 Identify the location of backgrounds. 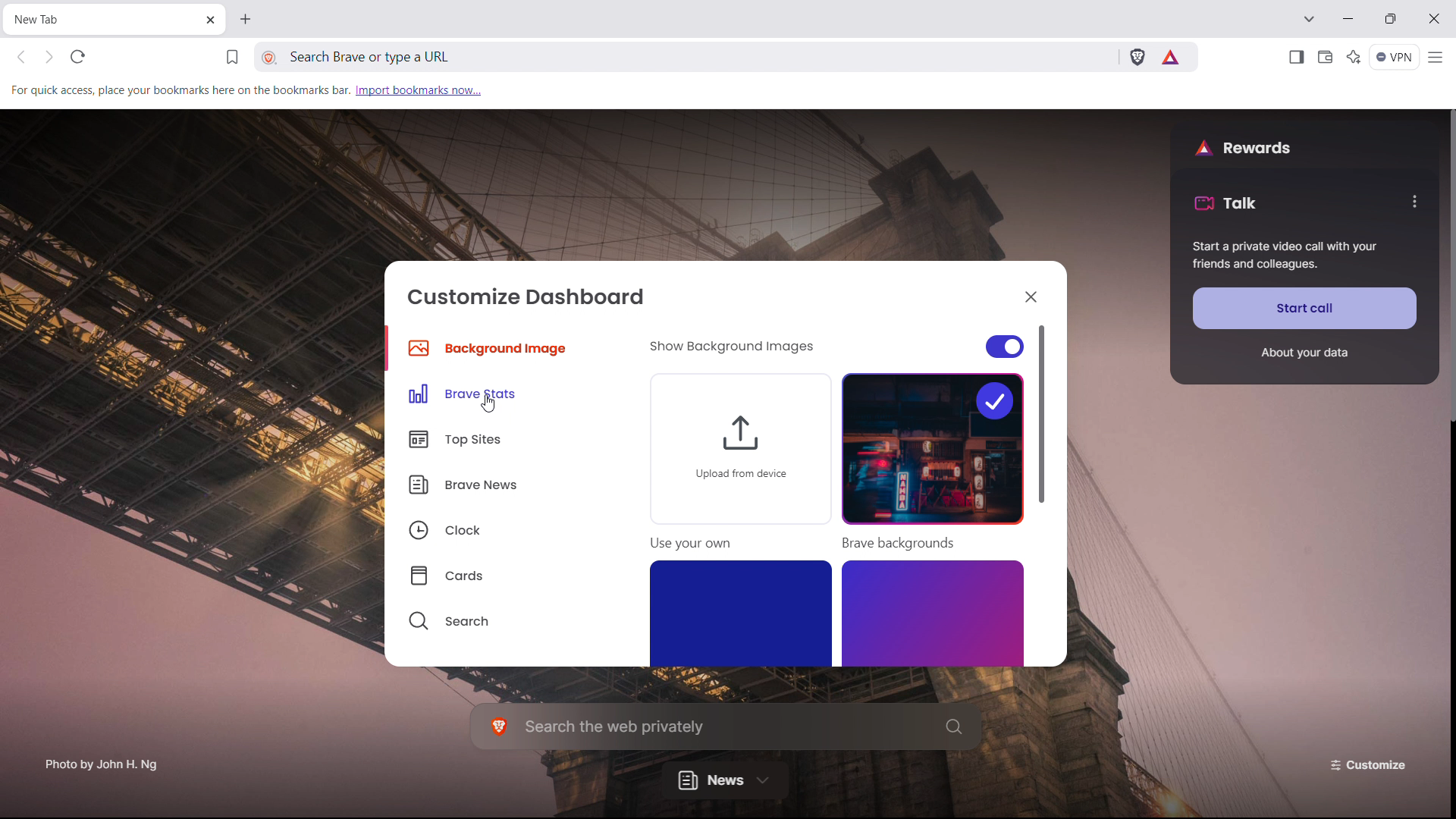
(837, 613).